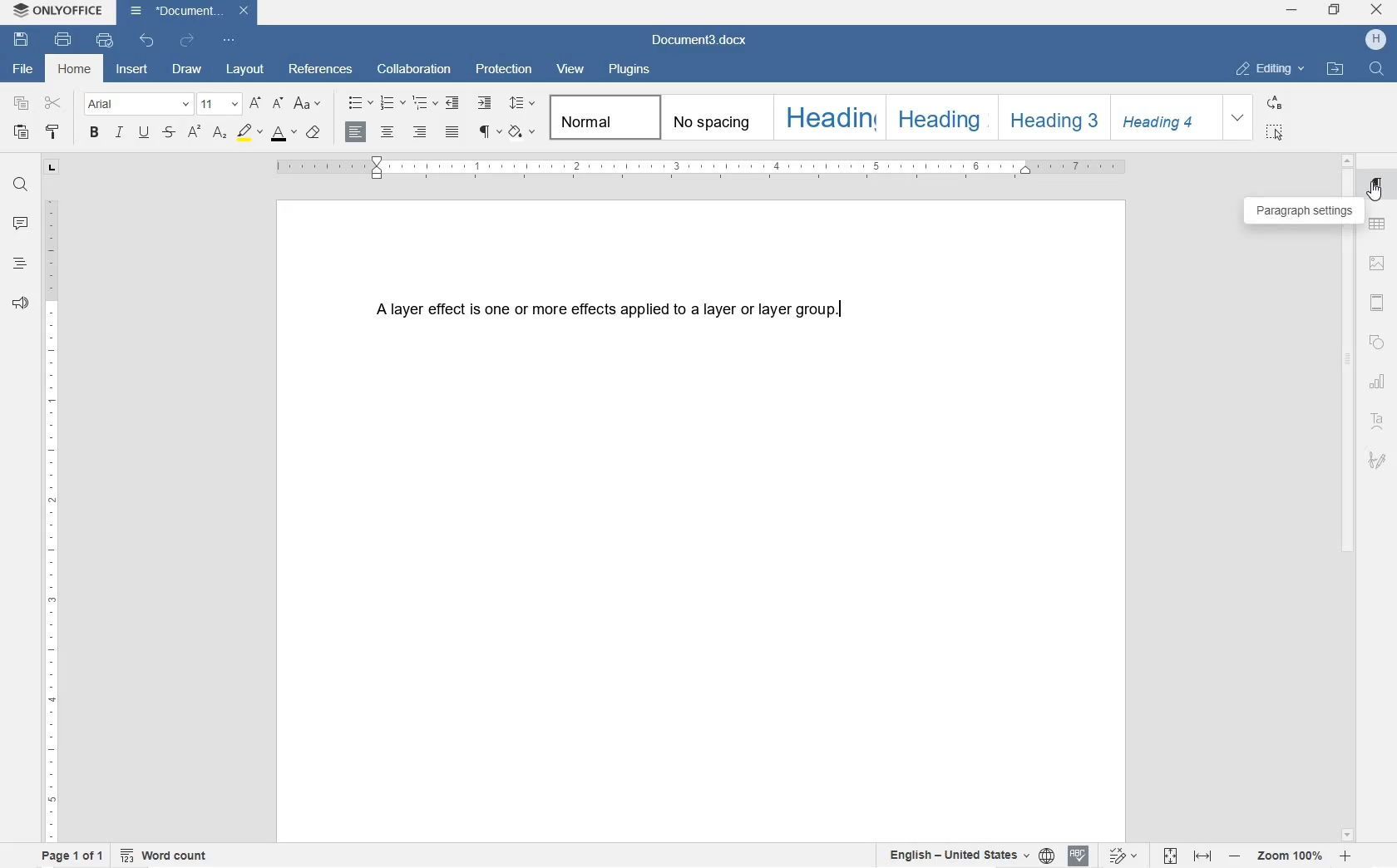 This screenshot has width=1397, height=868. Describe the element at coordinates (146, 133) in the screenshot. I see `UNDERLINE` at that location.